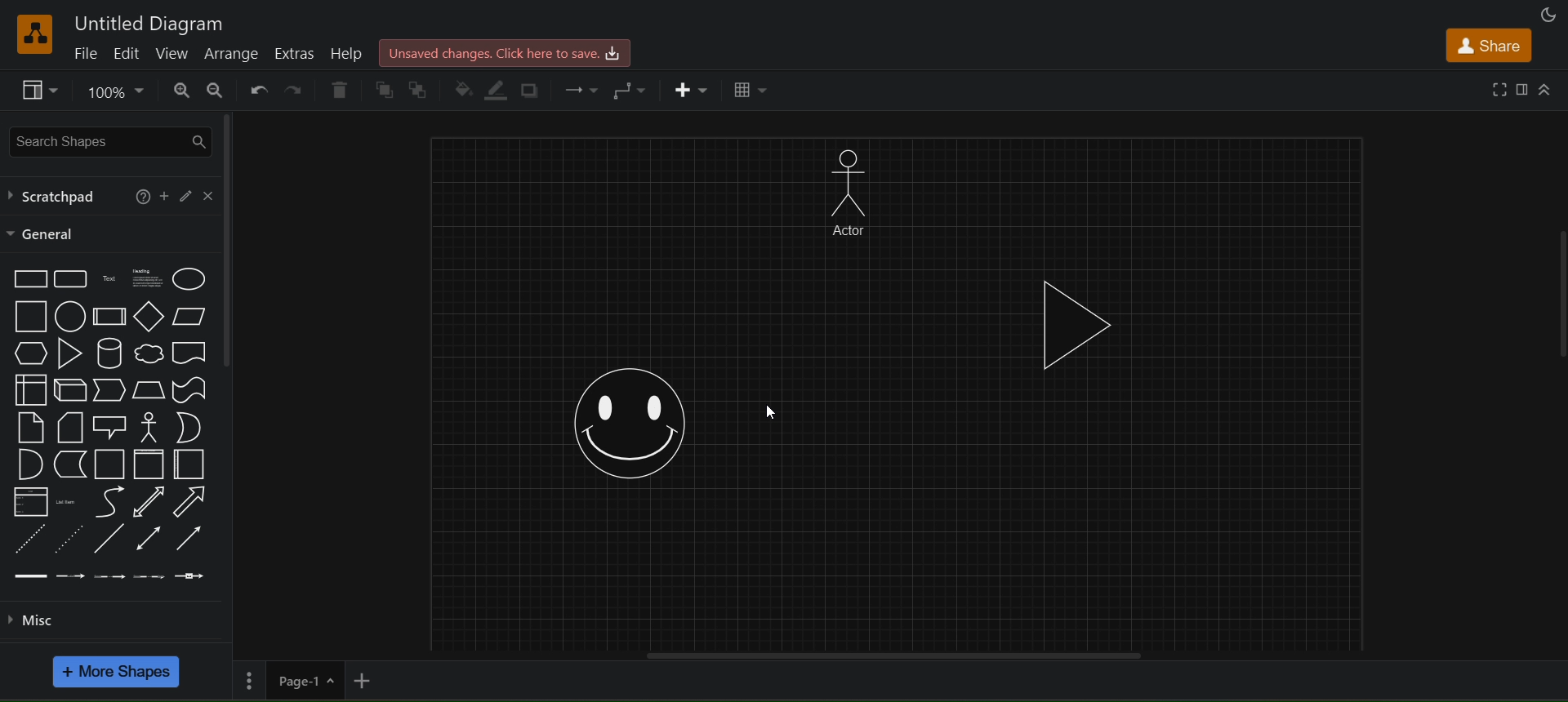 The width and height of the screenshot is (1568, 702). What do you see at coordinates (164, 195) in the screenshot?
I see `add` at bounding box center [164, 195].